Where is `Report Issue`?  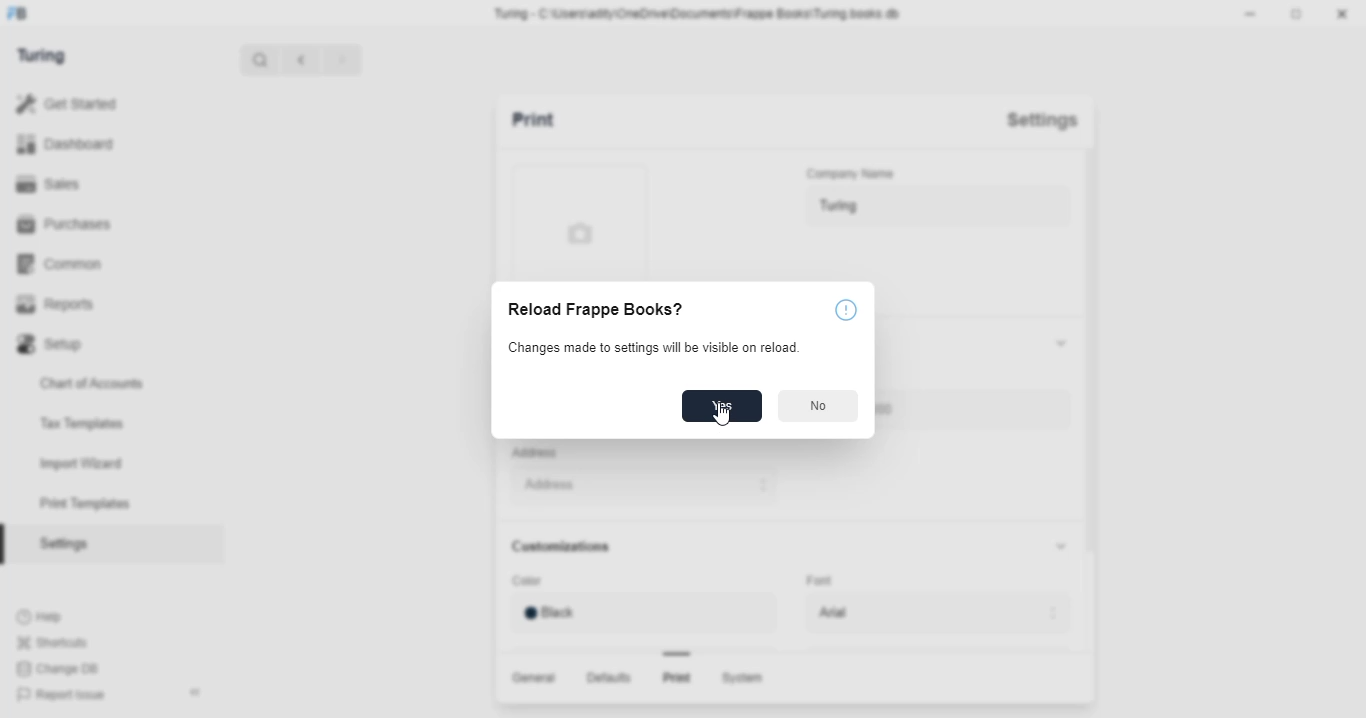 Report Issue is located at coordinates (70, 692).